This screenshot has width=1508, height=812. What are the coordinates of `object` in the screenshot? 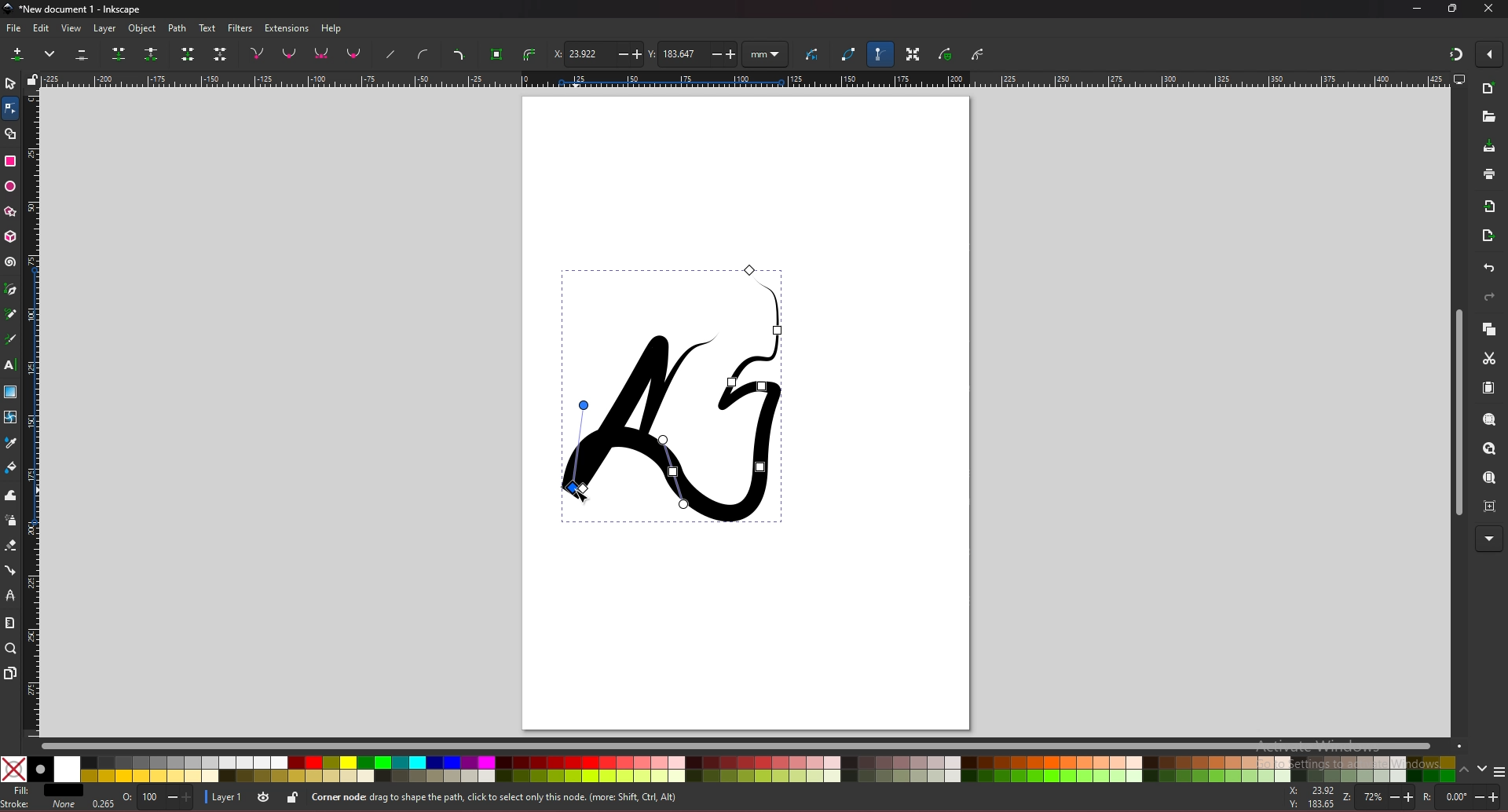 It's located at (144, 29).